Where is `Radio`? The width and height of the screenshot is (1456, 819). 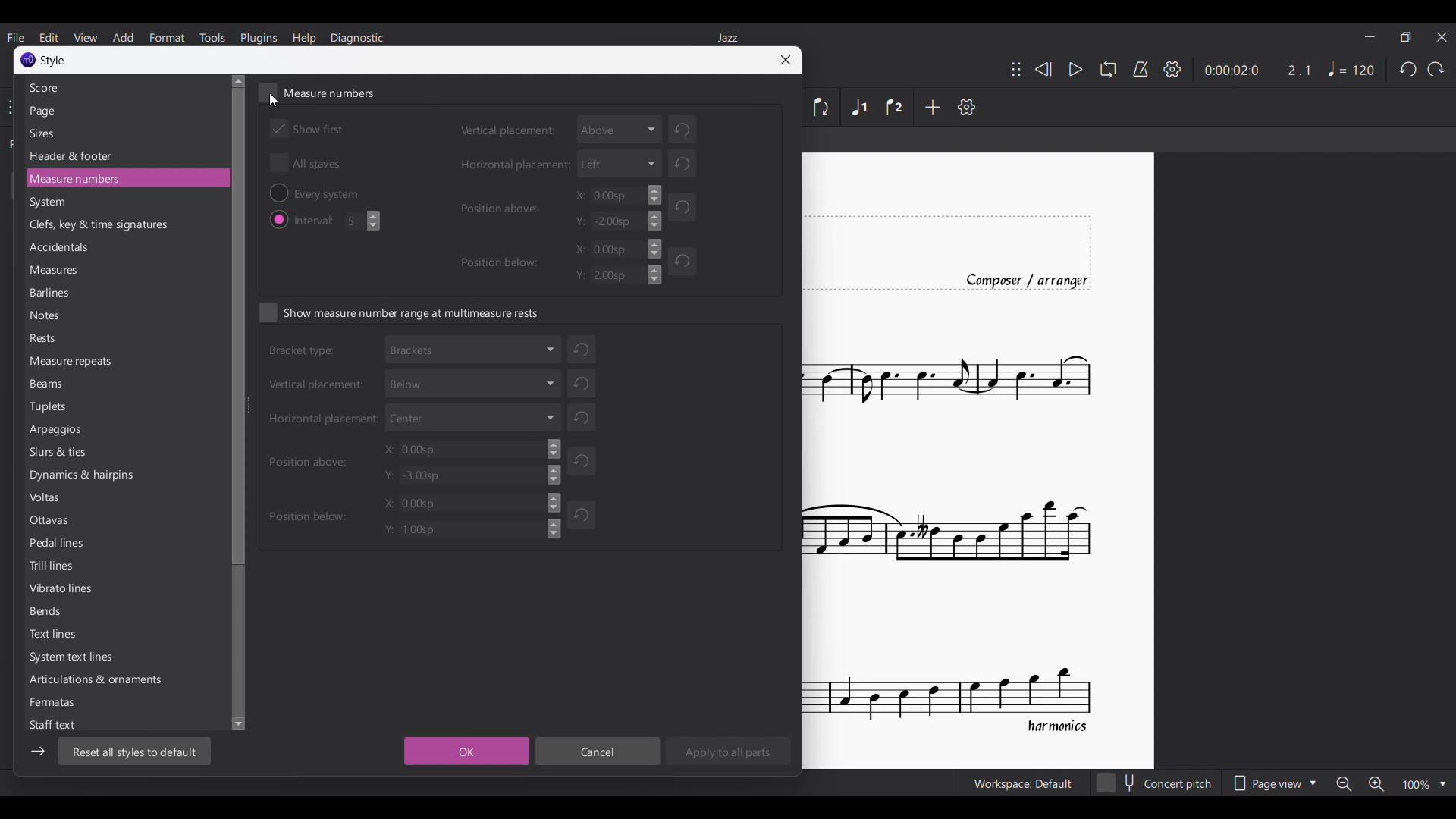
Radio is located at coordinates (278, 192).